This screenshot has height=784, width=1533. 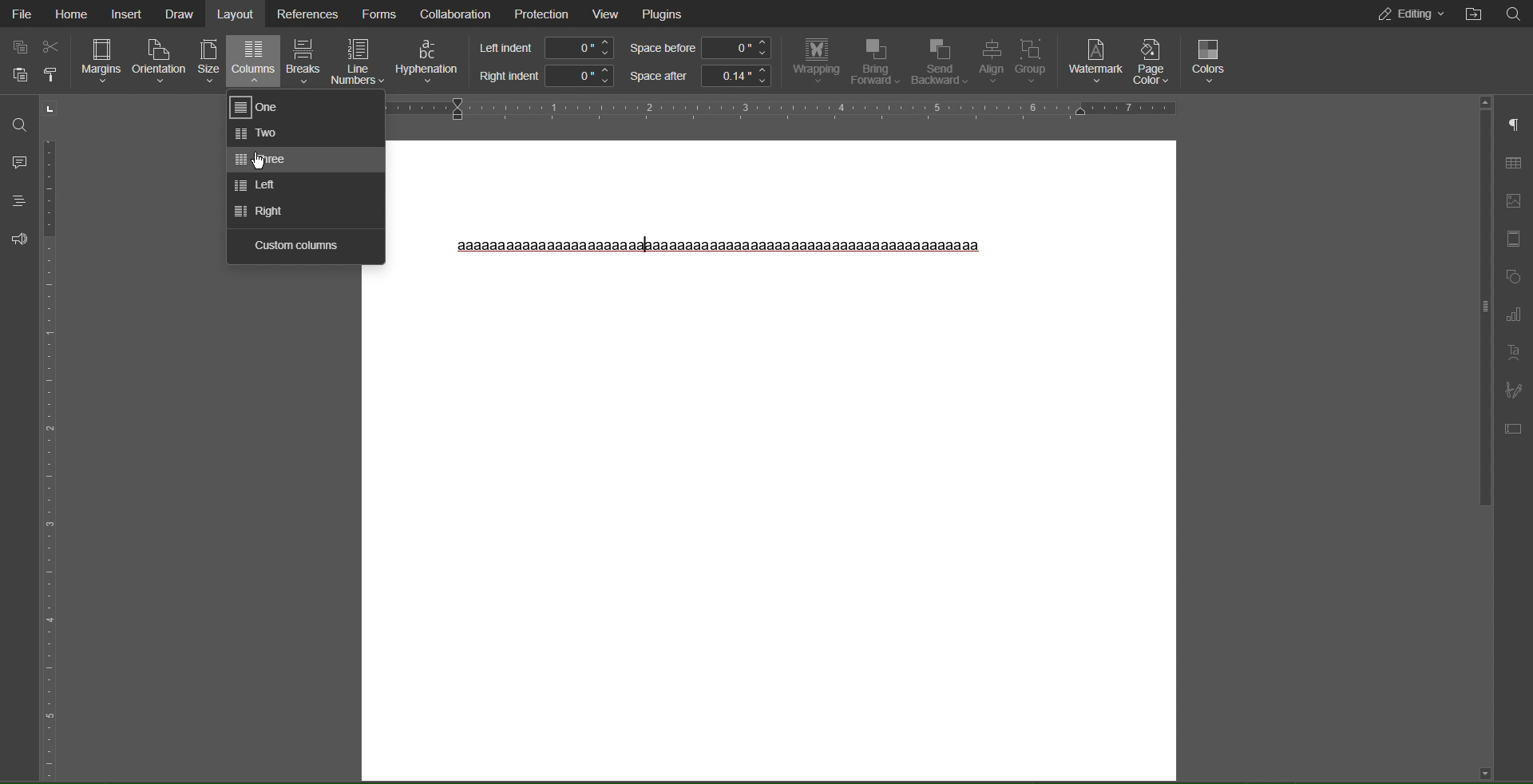 I want to click on cut, so click(x=56, y=45).